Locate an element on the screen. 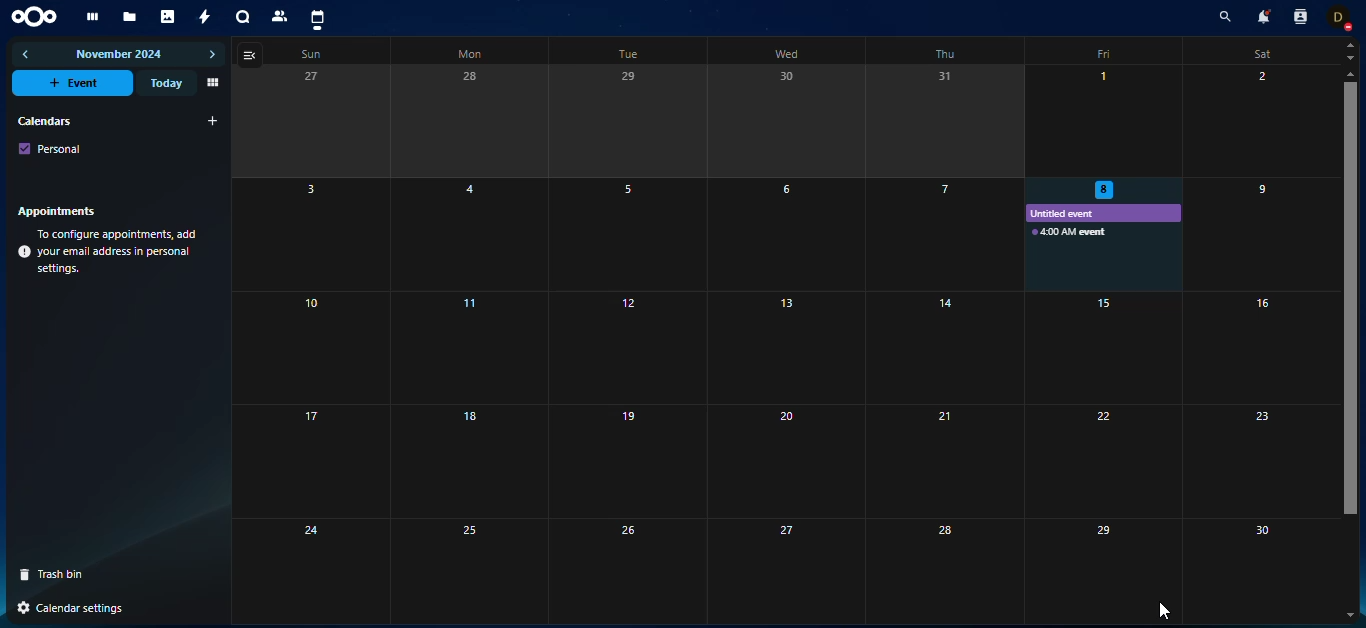 This screenshot has width=1366, height=628. dashboard is located at coordinates (90, 17).